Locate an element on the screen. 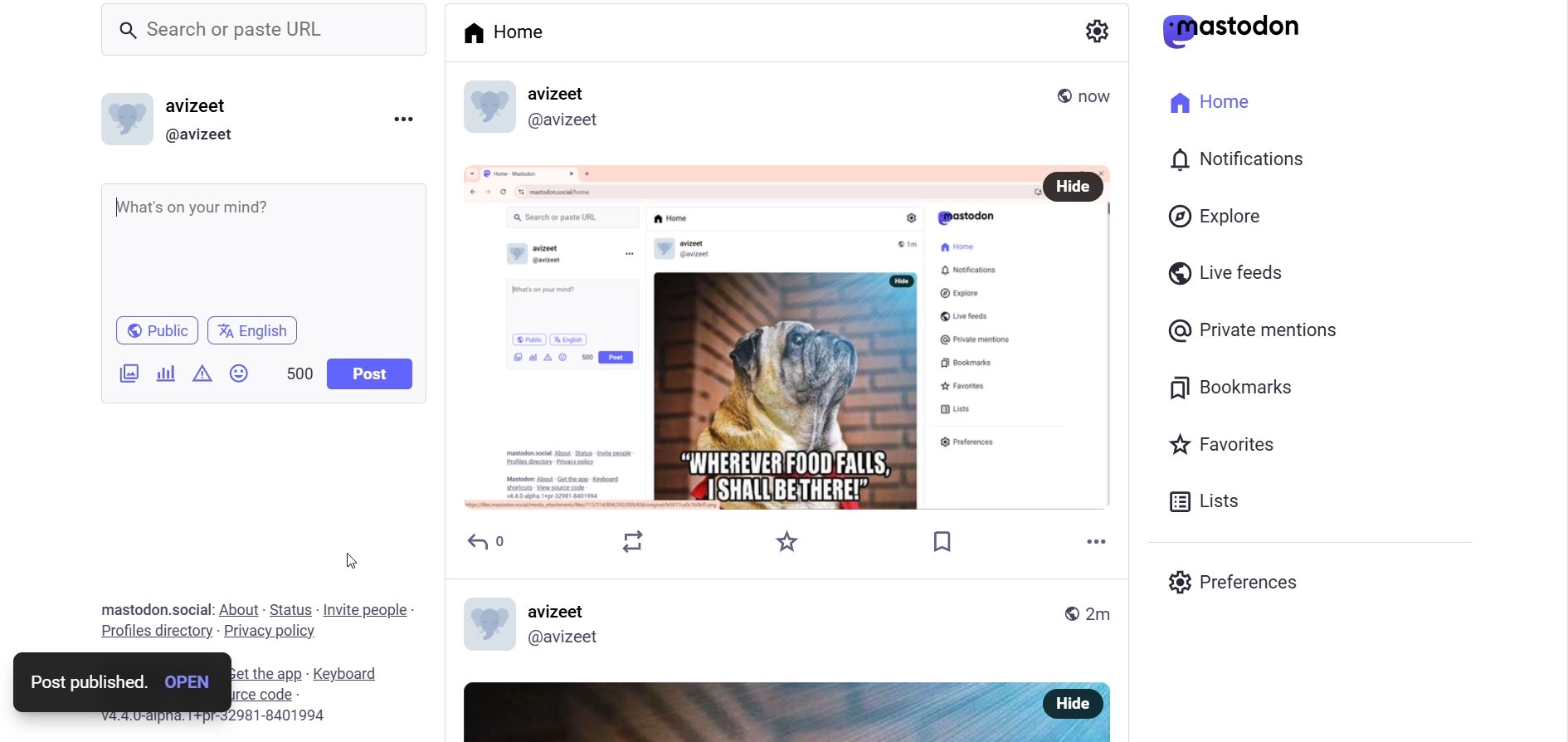  profile picute is located at coordinates (492, 622).